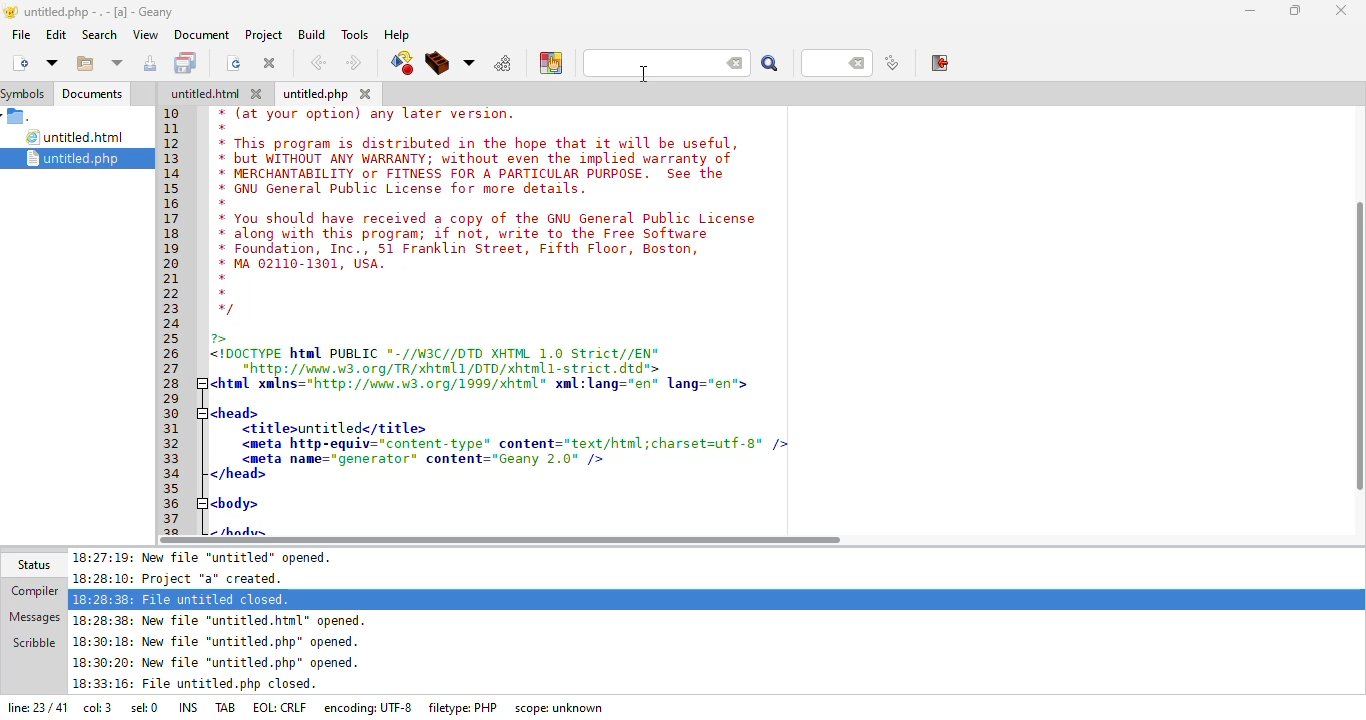 This screenshot has height=720, width=1366. I want to click on untitled.php, so click(316, 95).